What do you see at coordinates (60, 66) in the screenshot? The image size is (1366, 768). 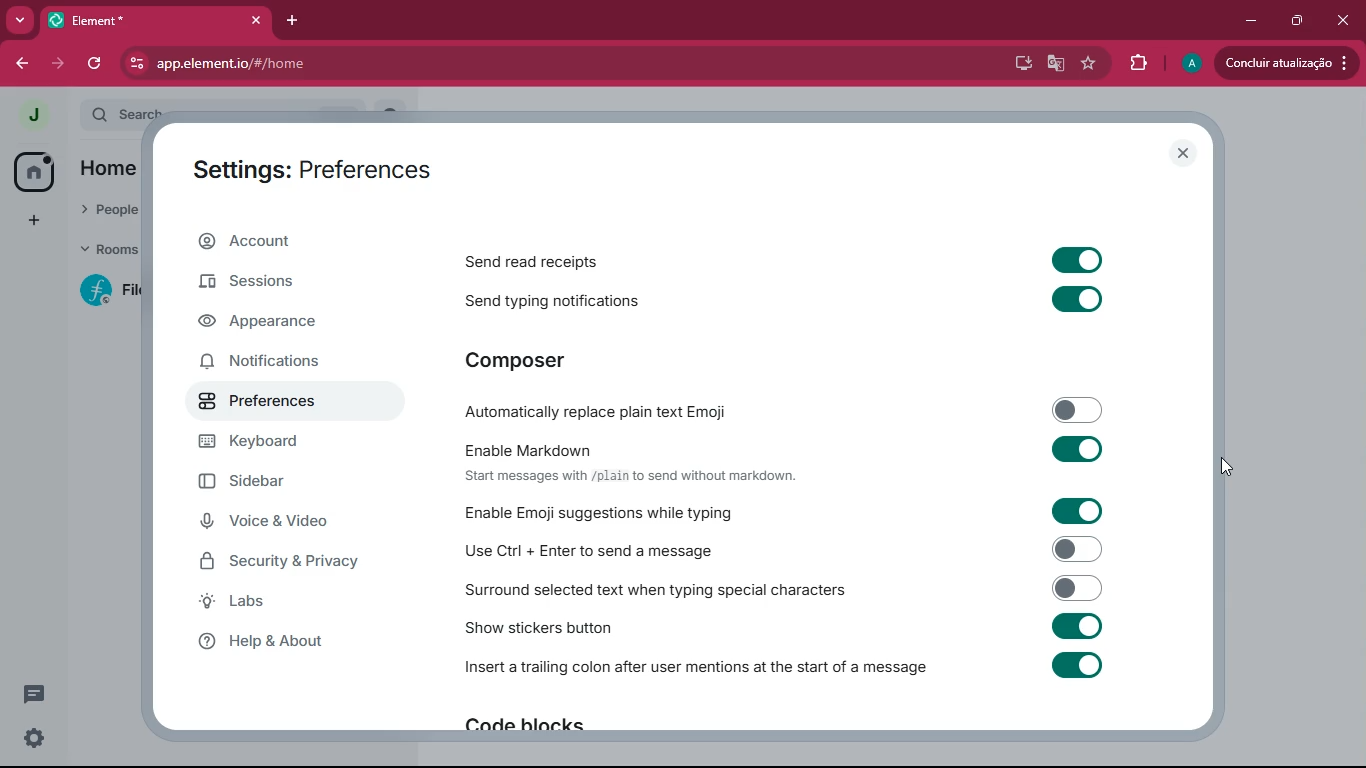 I see `forward` at bounding box center [60, 66].